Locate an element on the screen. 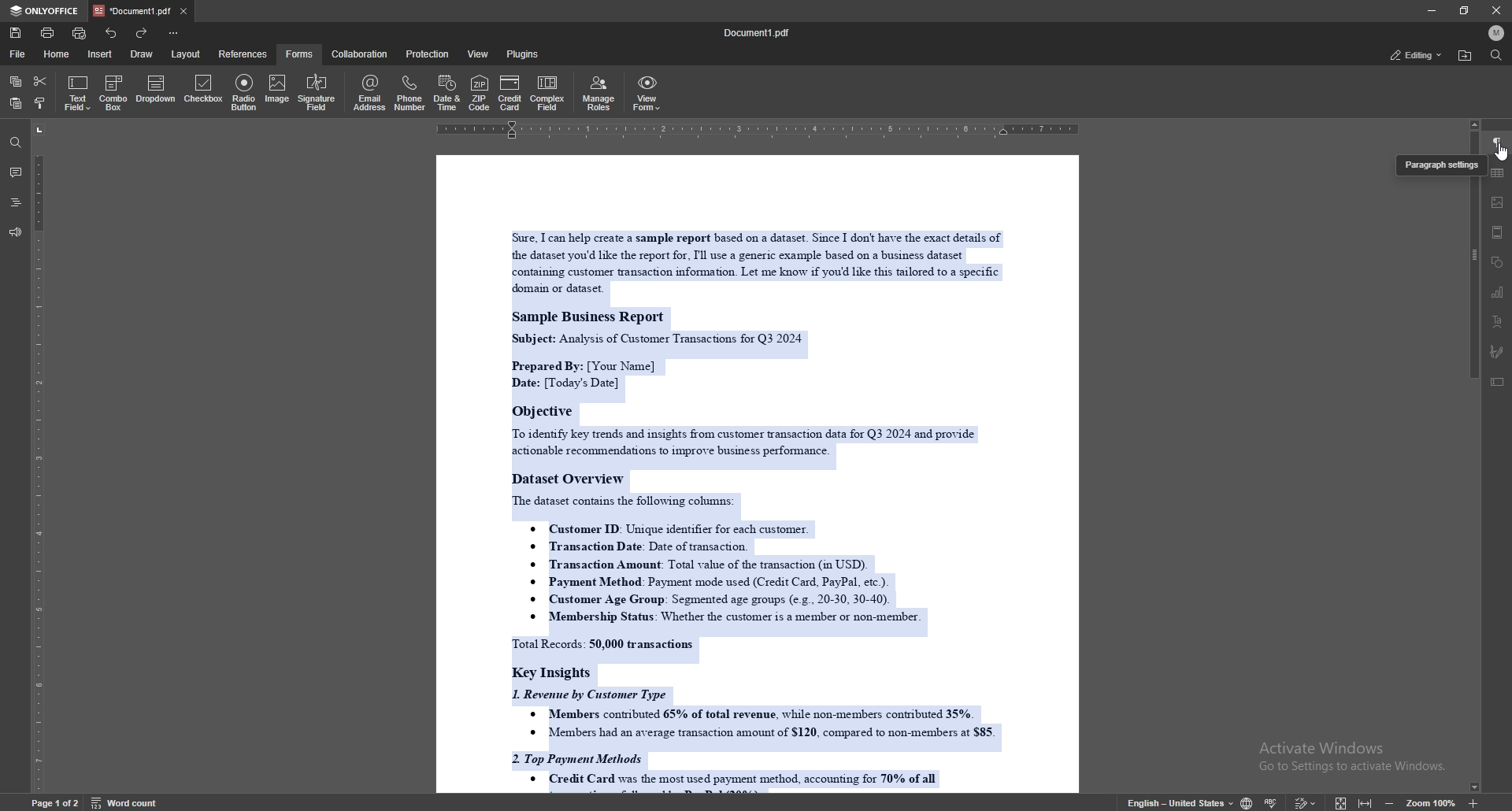  onlyoffice is located at coordinates (47, 11).